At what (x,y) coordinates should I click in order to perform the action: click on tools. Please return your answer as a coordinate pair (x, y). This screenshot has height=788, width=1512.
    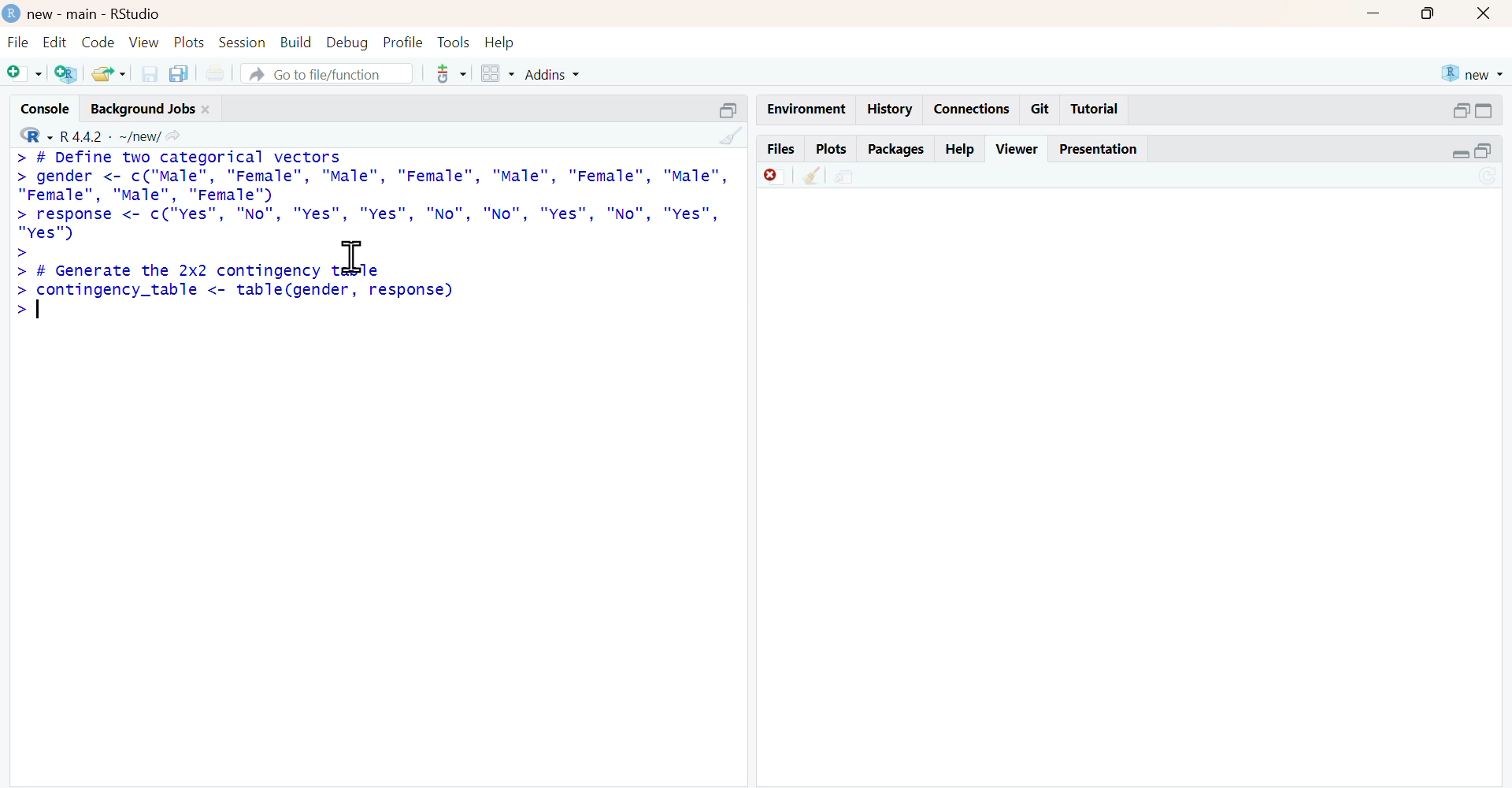
    Looking at the image, I should click on (454, 43).